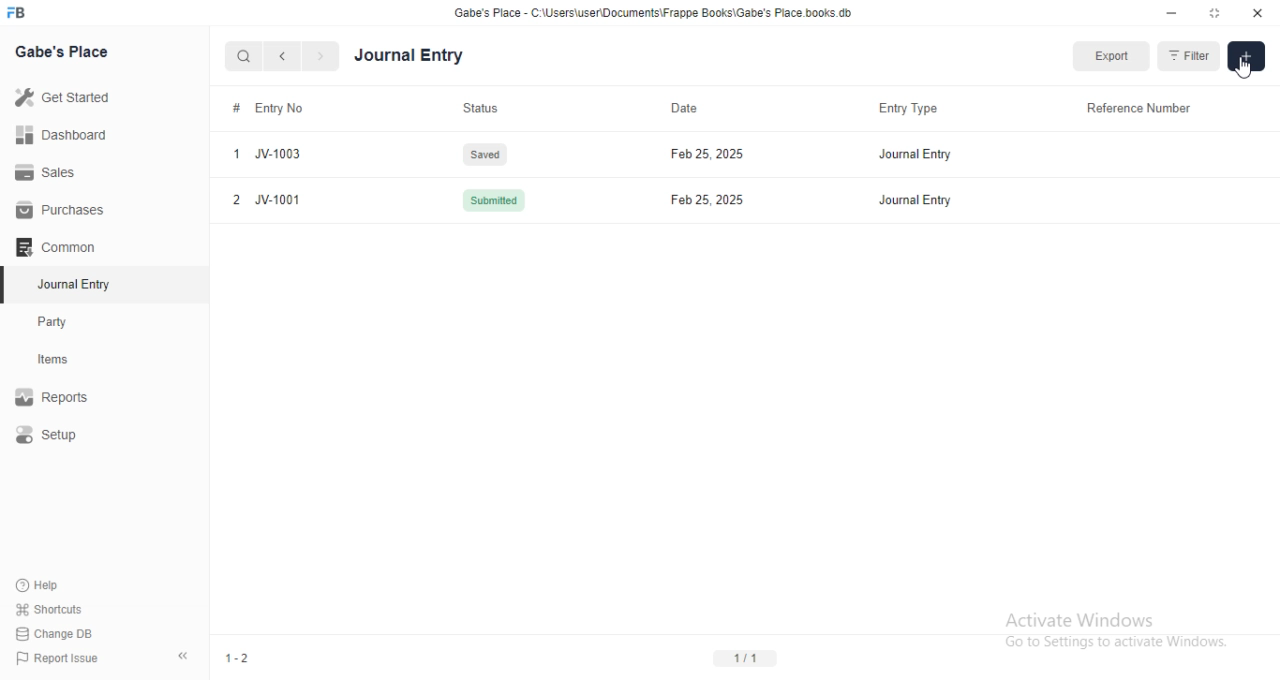 This screenshot has width=1280, height=680. Describe the element at coordinates (70, 284) in the screenshot. I see `Journal Entry` at that location.